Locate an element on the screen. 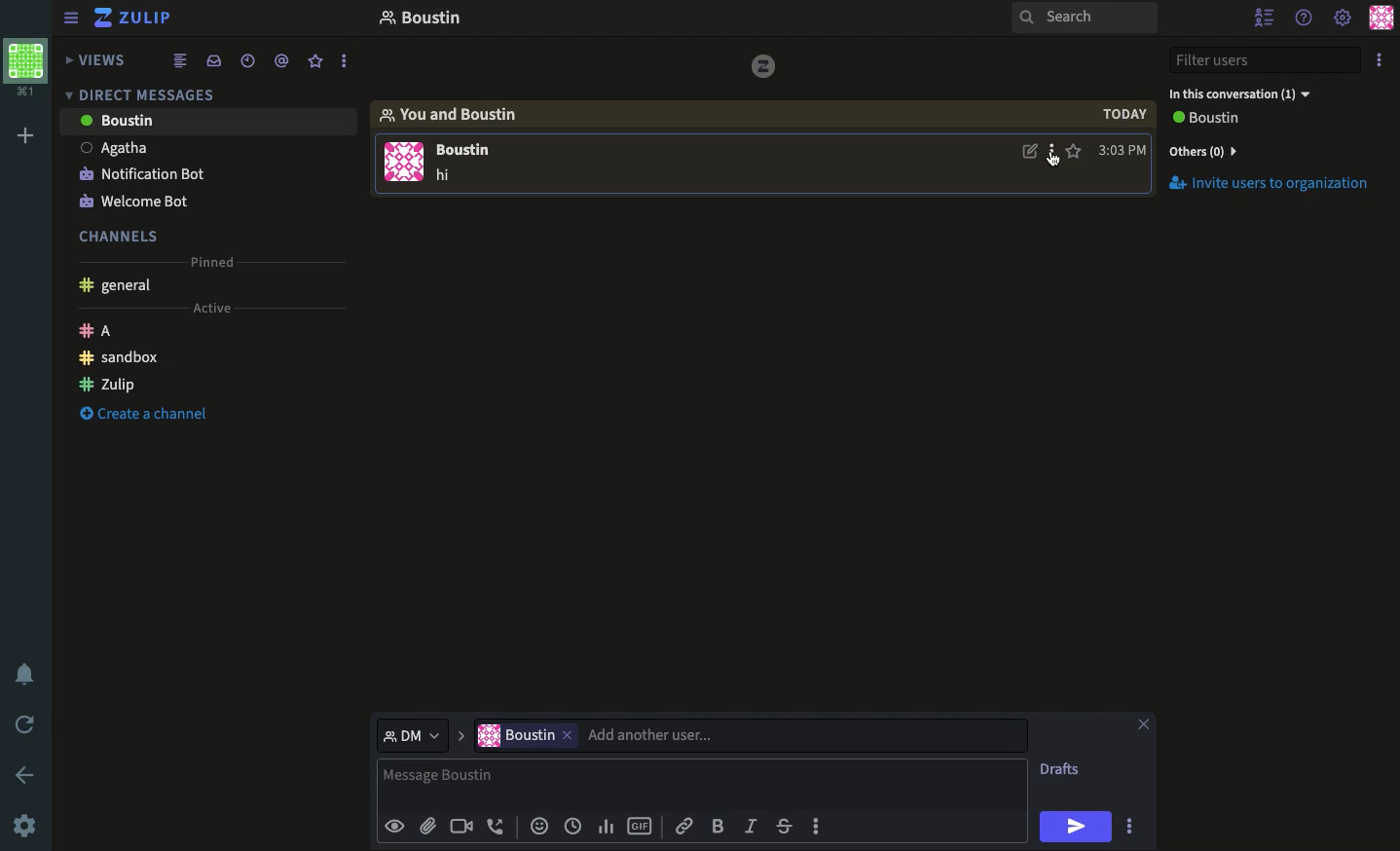 The width and height of the screenshot is (1400, 851). Settings is located at coordinates (27, 825).